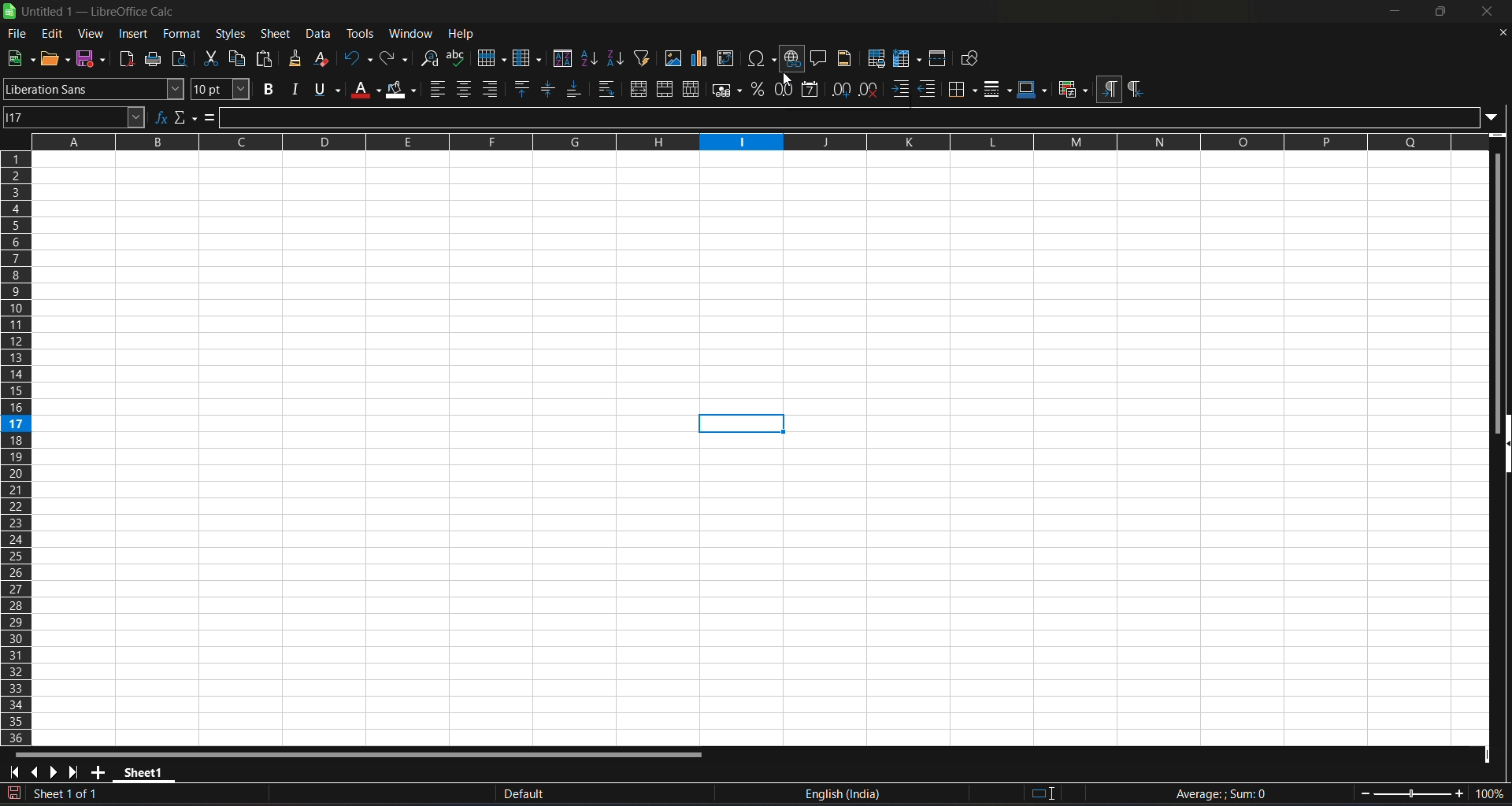 The image size is (1512, 806). Describe the element at coordinates (1220, 793) in the screenshot. I see `formula` at that location.